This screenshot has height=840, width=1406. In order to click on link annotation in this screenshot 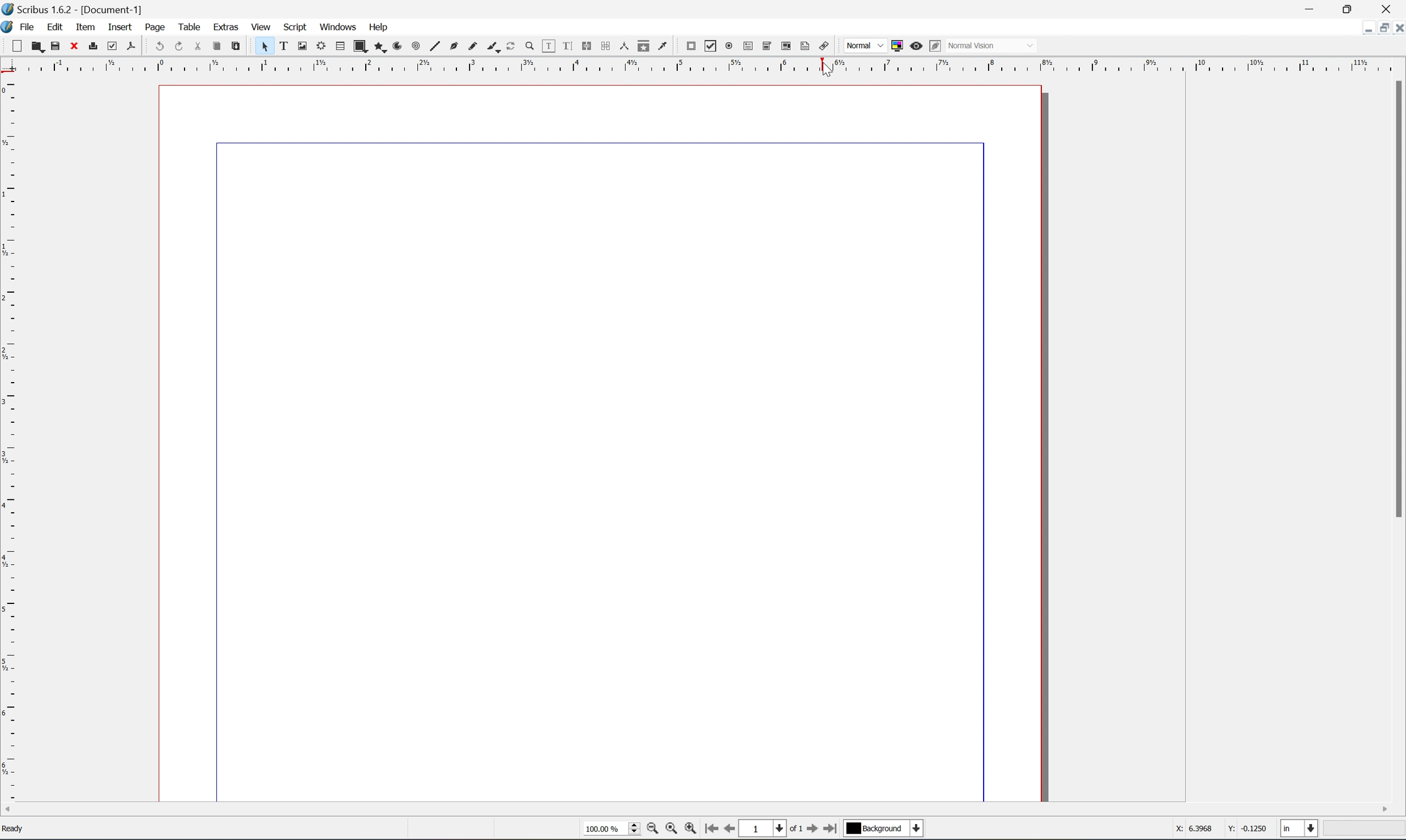, I will do `click(824, 46)`.